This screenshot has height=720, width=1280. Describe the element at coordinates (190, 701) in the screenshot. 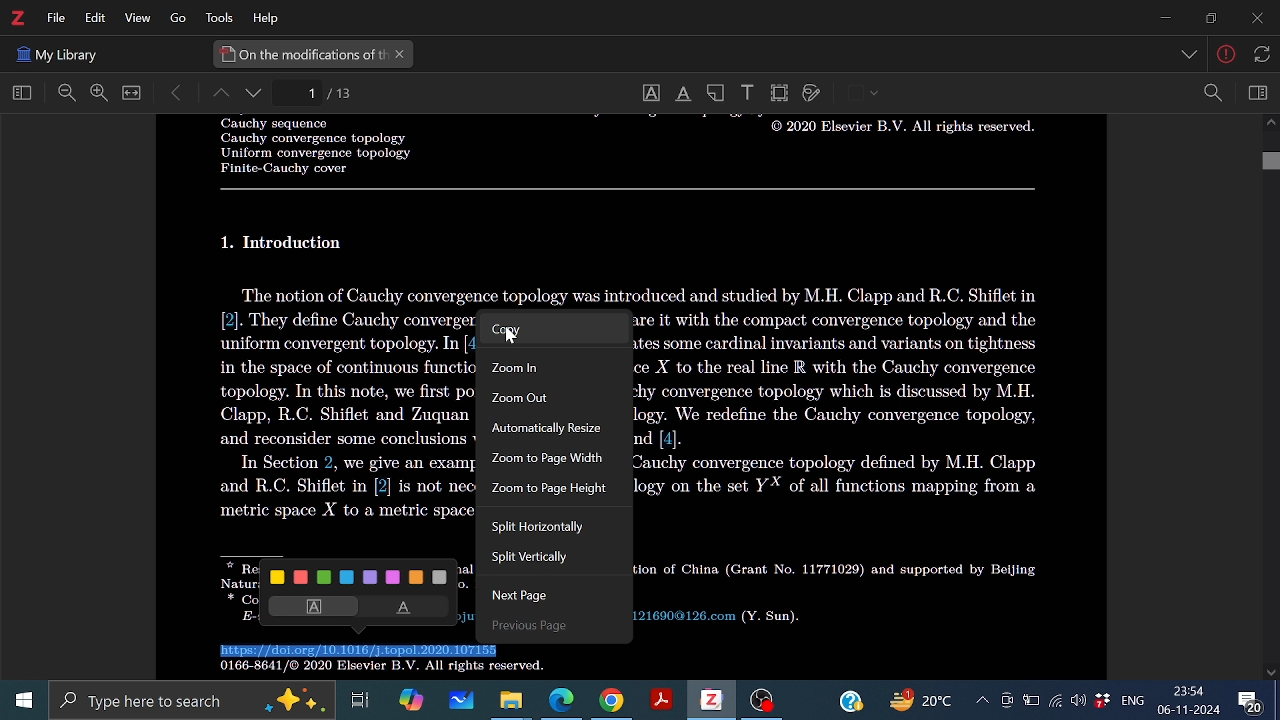

I see `Type here to serach` at that location.